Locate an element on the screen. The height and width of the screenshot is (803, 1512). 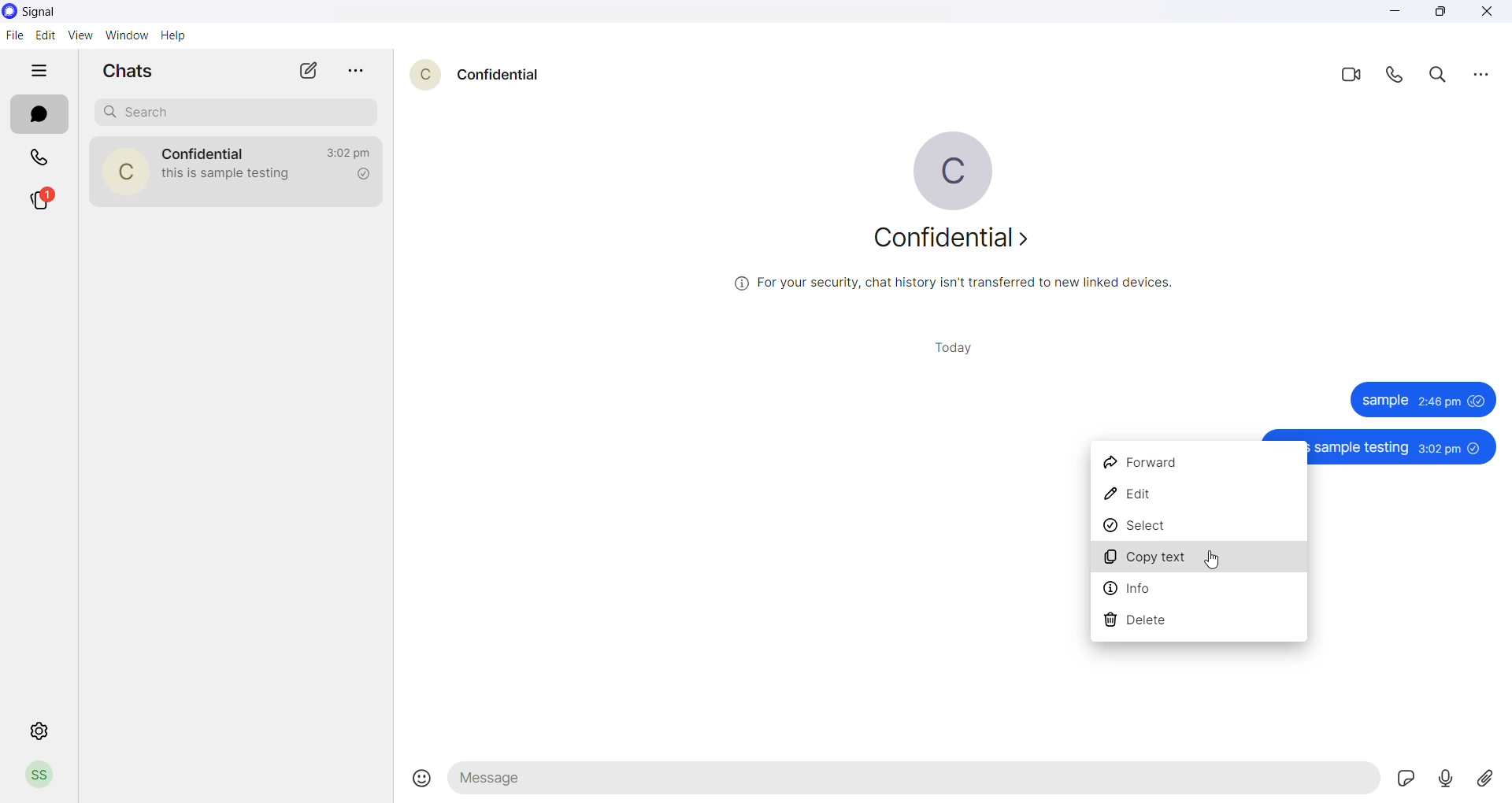
read recipient  is located at coordinates (361, 176).